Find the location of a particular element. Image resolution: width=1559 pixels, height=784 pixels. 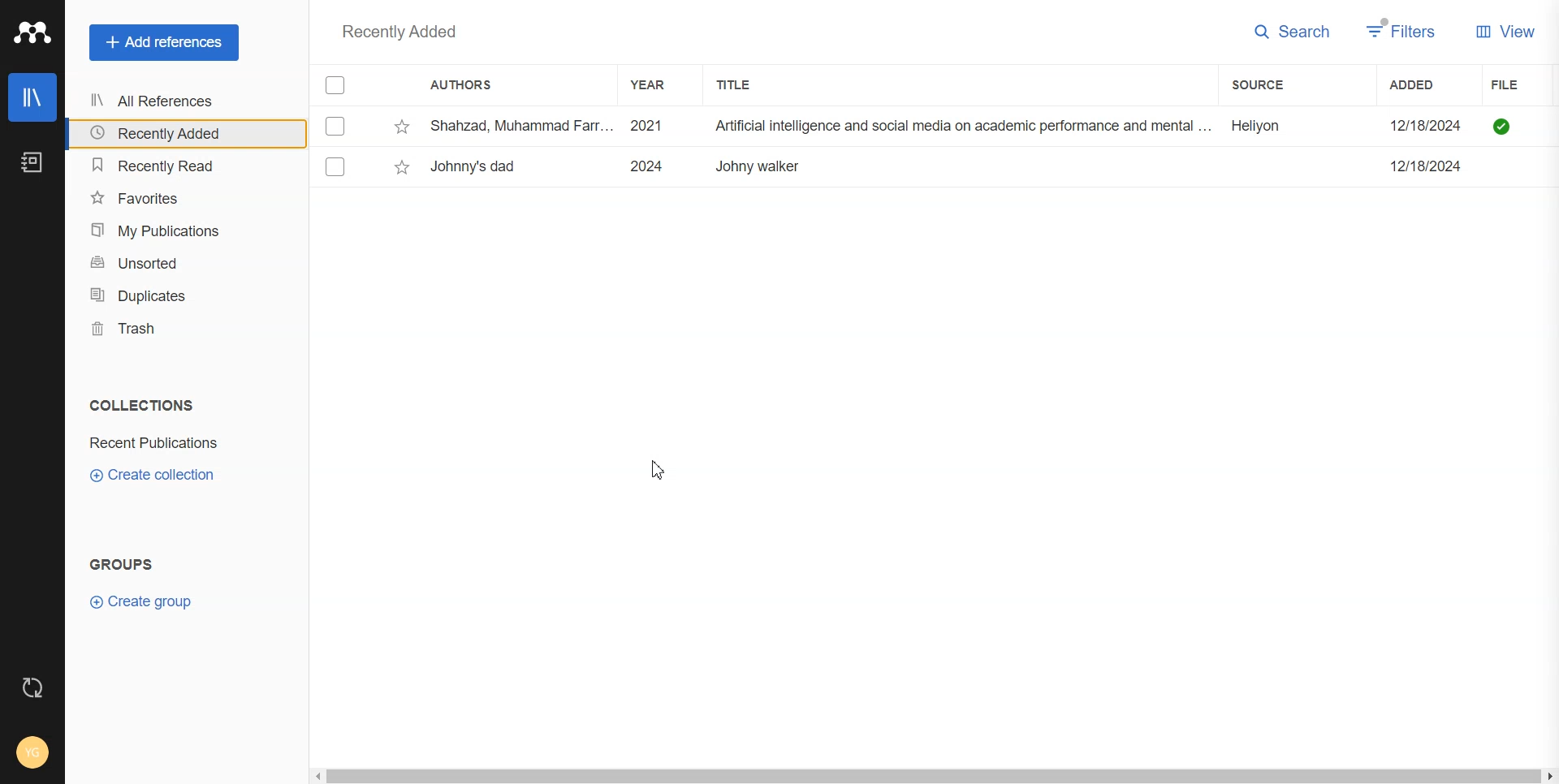

Search is located at coordinates (1293, 32).